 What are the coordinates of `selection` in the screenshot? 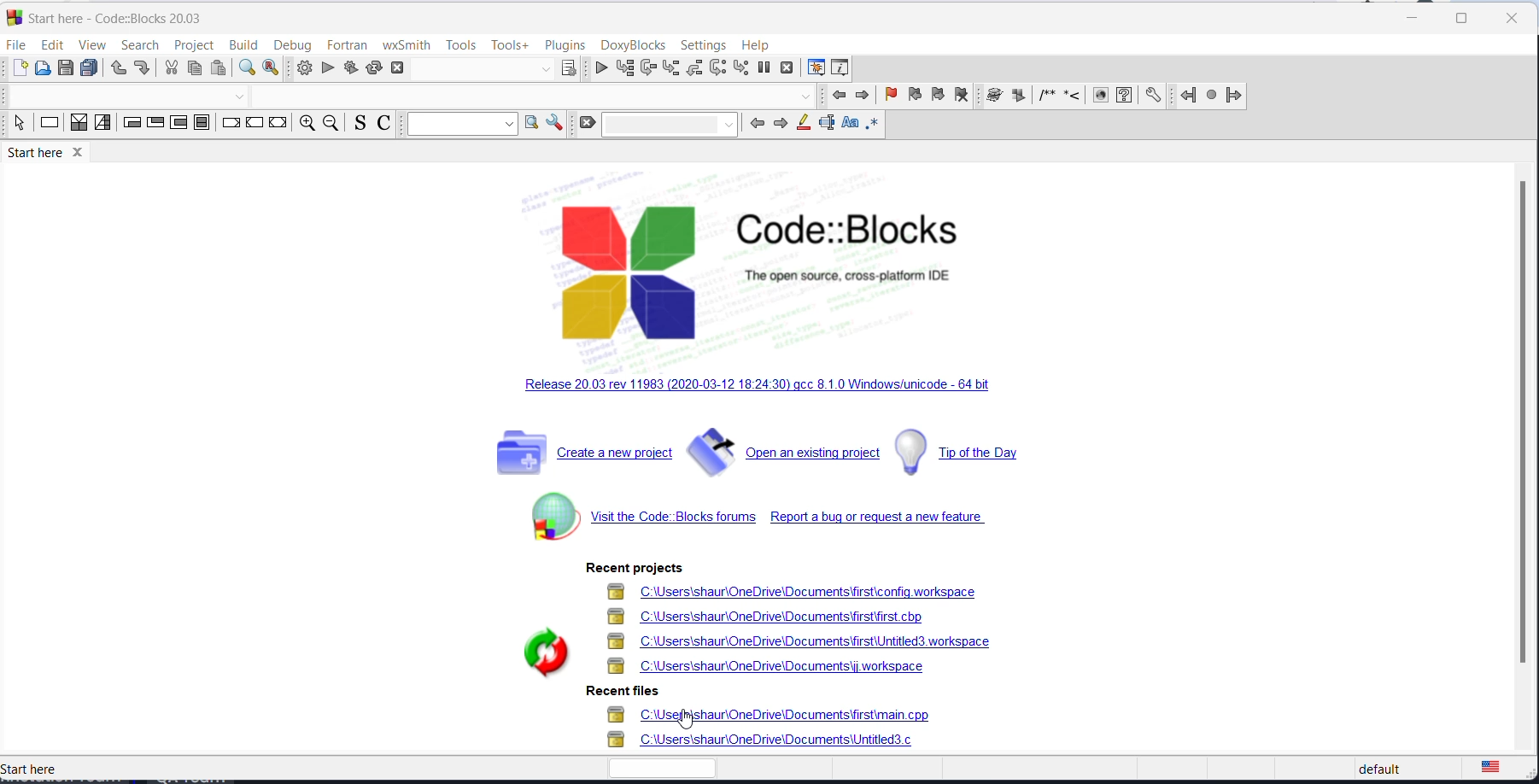 It's located at (103, 125).